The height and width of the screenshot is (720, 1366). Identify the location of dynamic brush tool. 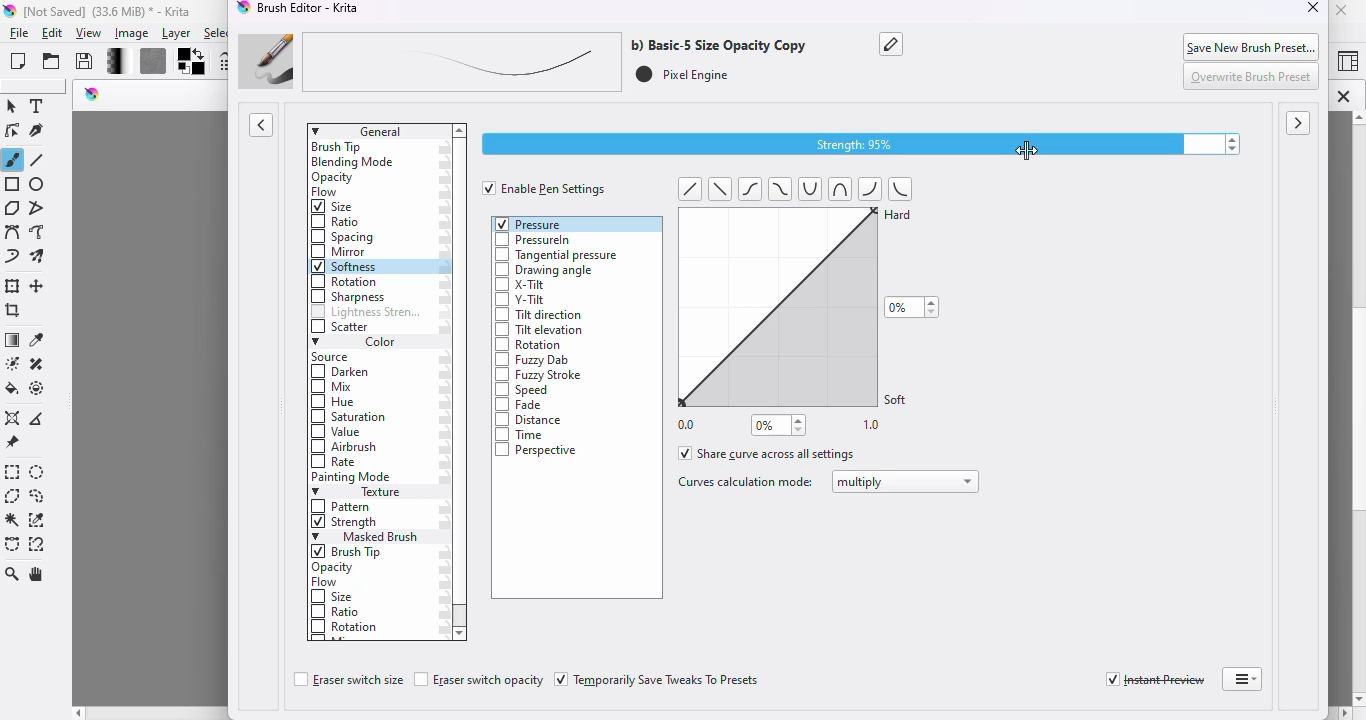
(12, 258).